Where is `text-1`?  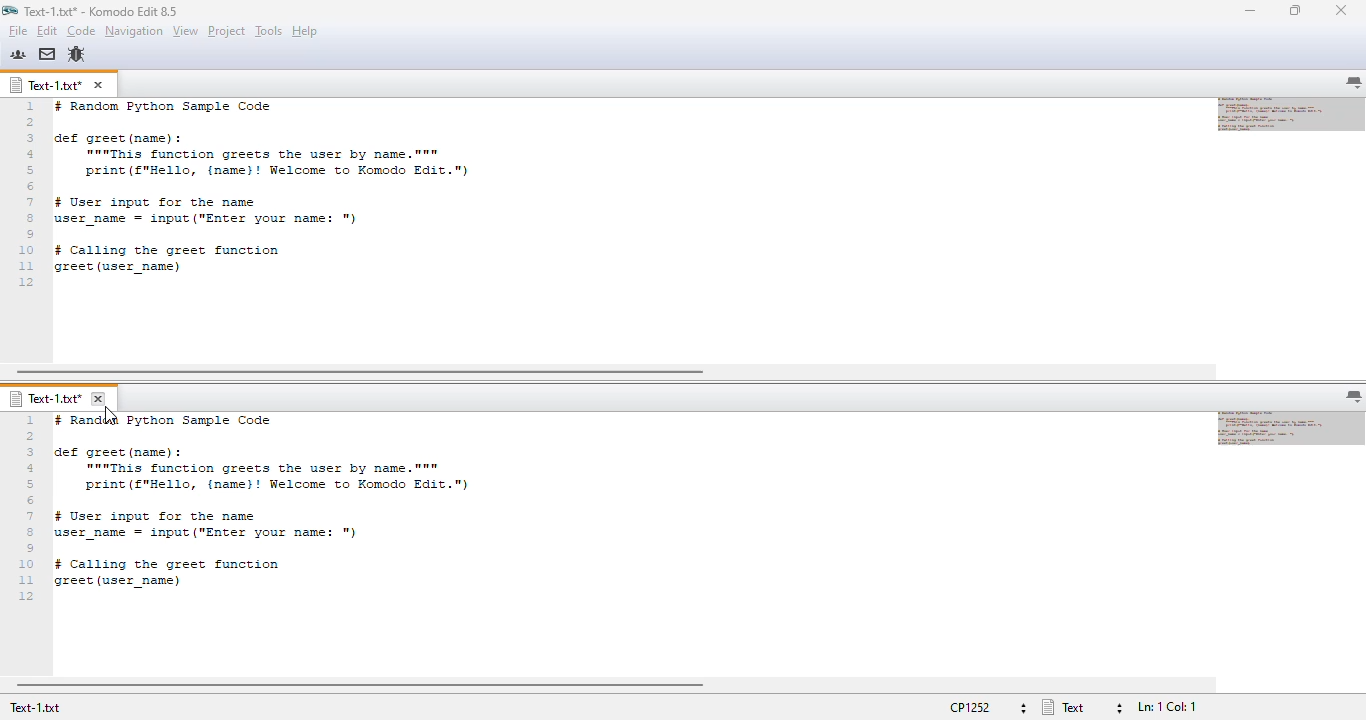 text-1 is located at coordinates (45, 85).